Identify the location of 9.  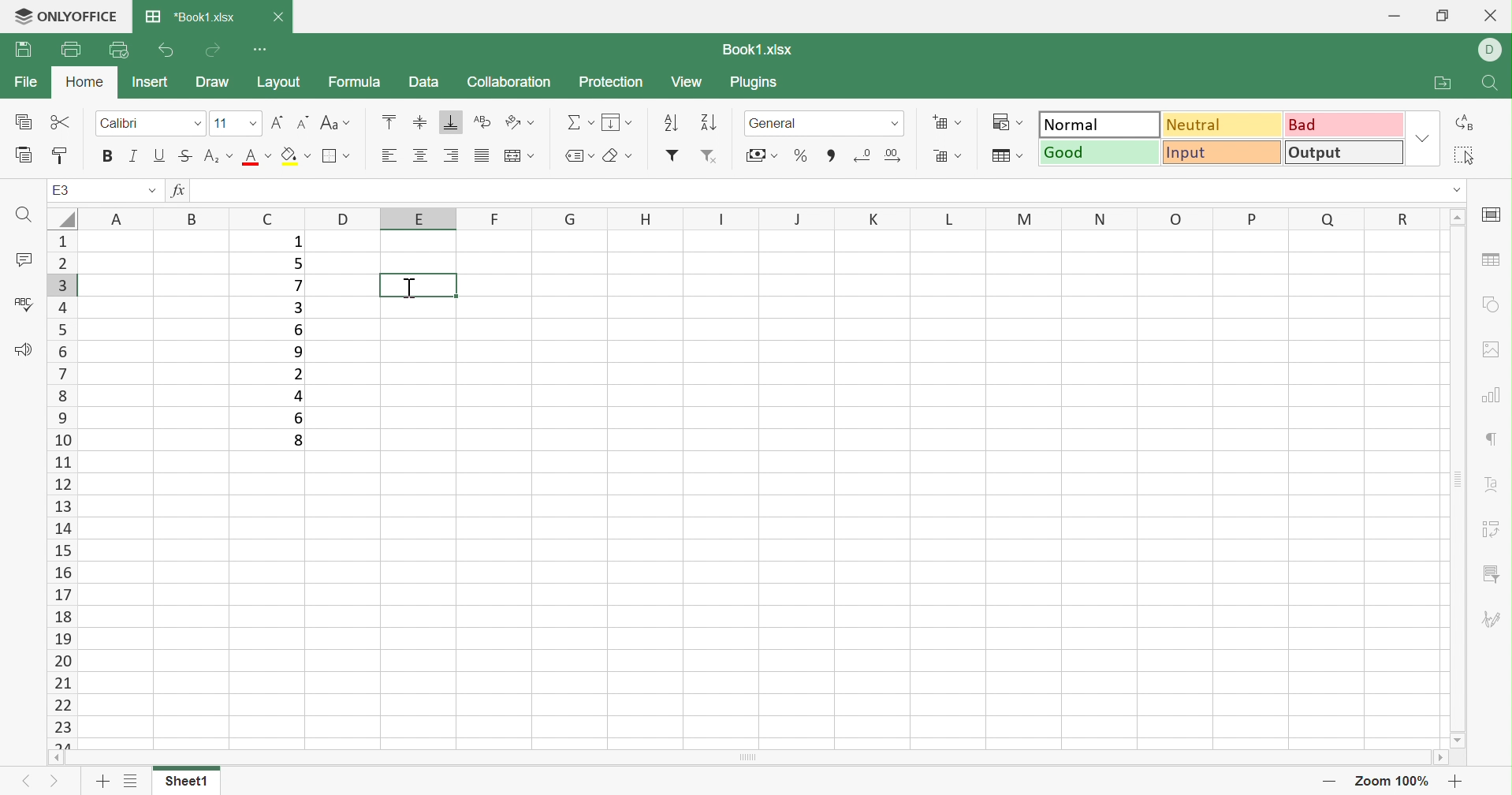
(299, 354).